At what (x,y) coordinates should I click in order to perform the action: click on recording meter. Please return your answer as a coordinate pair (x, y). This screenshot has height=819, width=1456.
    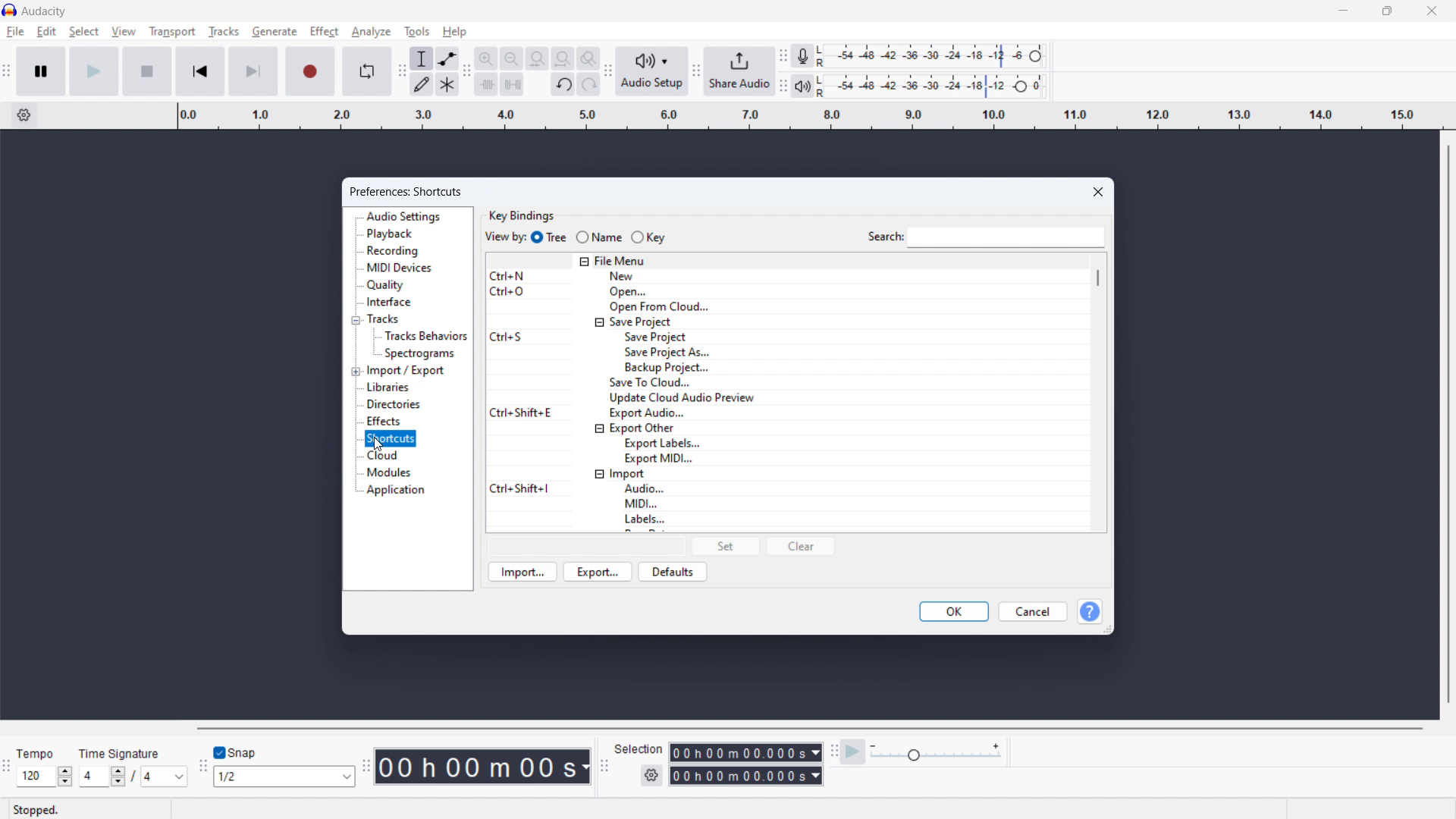
    Looking at the image, I should click on (803, 55).